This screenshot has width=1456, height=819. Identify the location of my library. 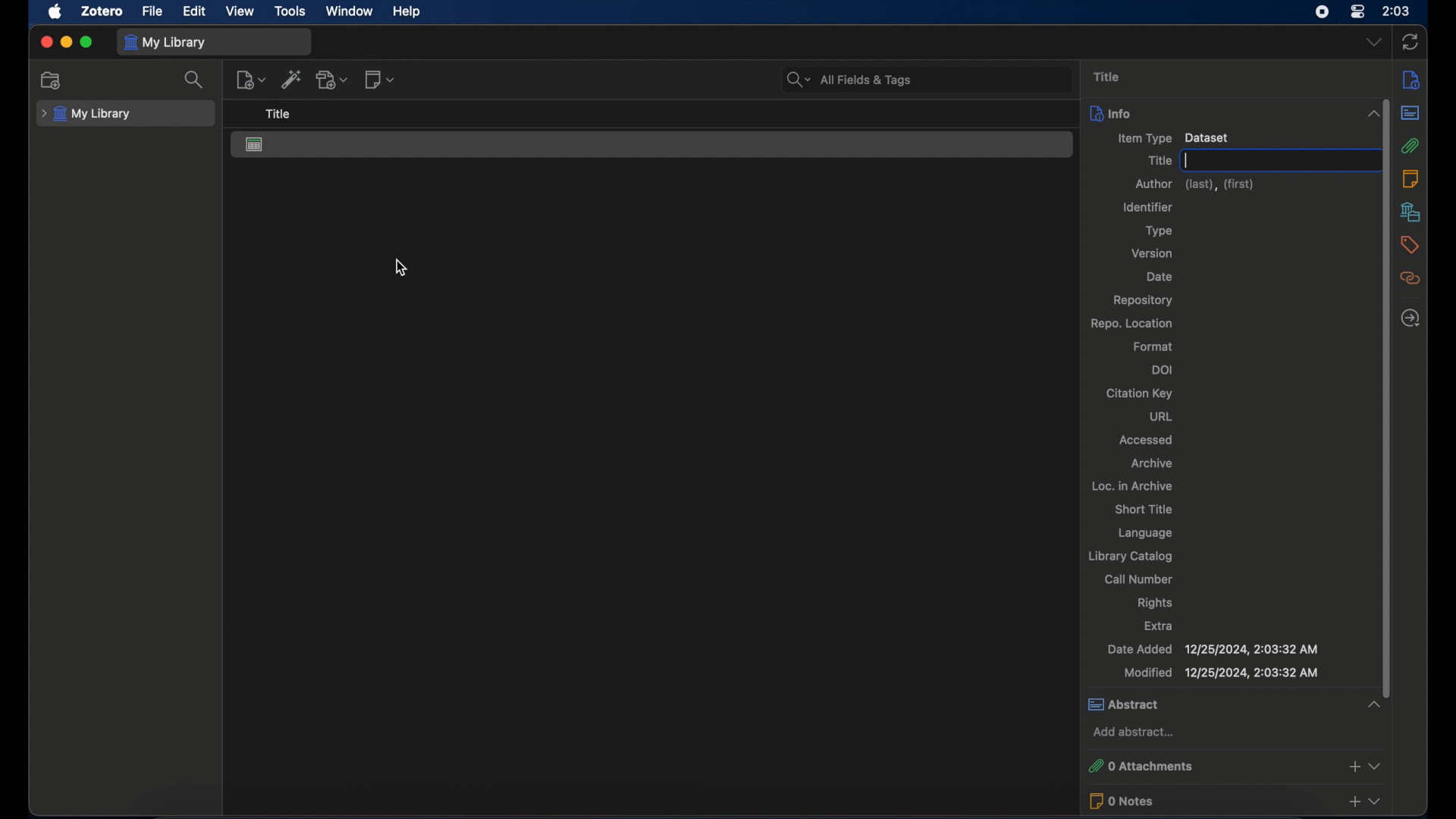
(86, 114).